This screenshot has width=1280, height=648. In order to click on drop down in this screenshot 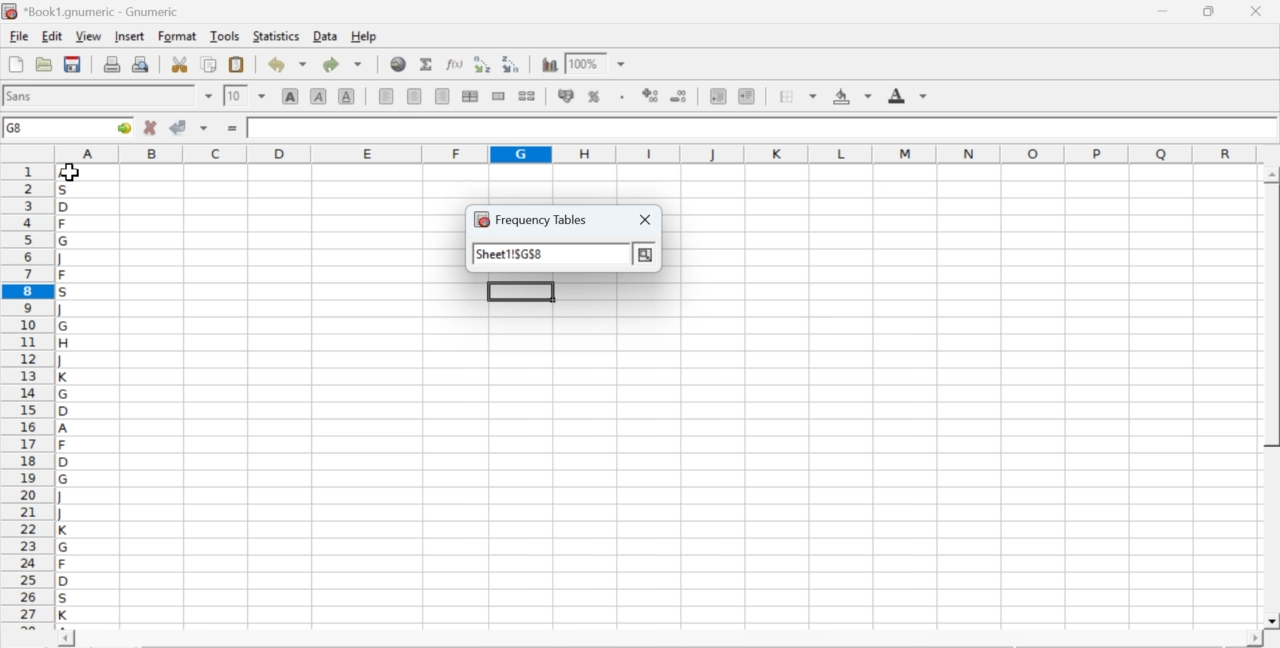, I will do `click(622, 65)`.